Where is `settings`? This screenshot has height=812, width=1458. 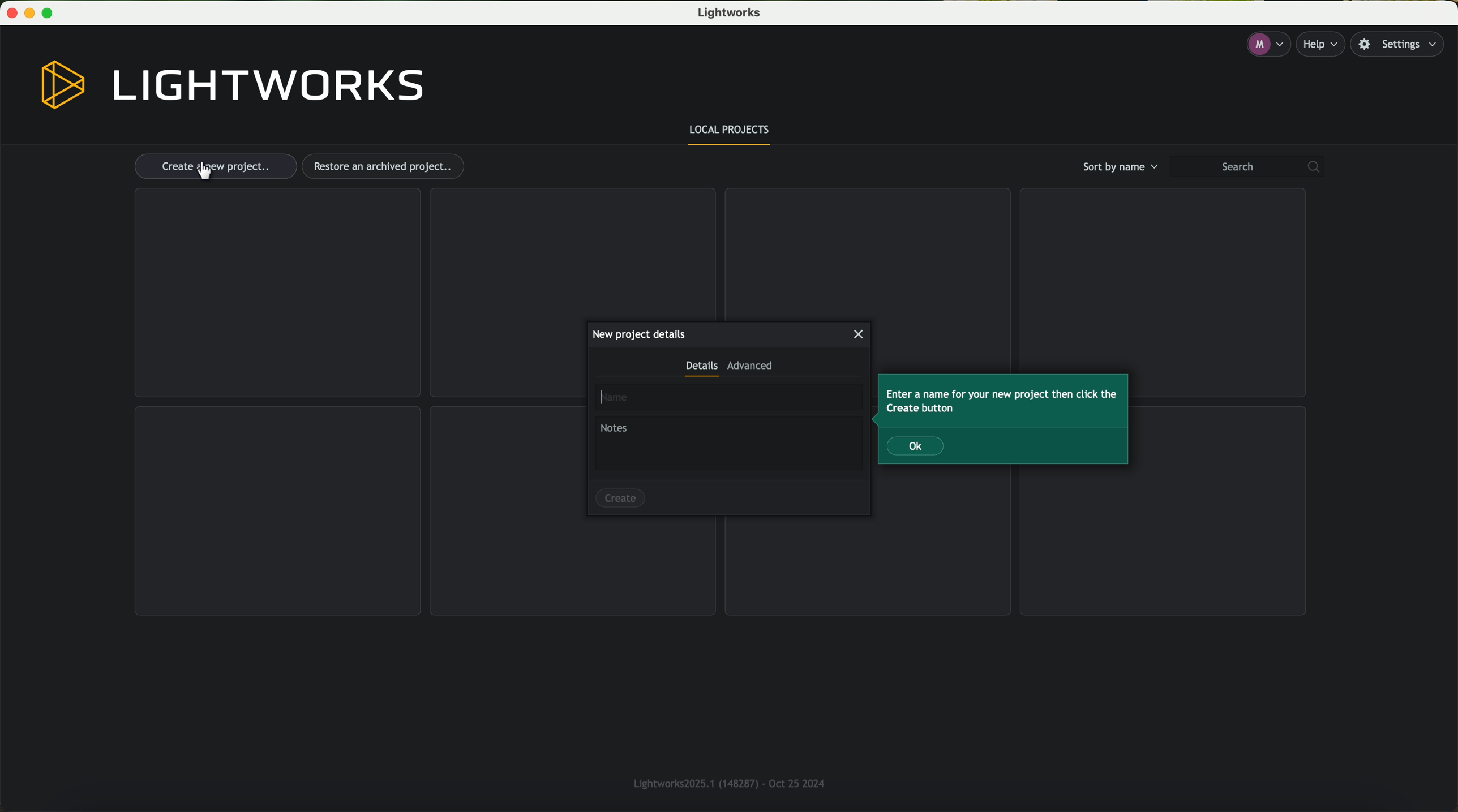
settings is located at coordinates (1403, 45).